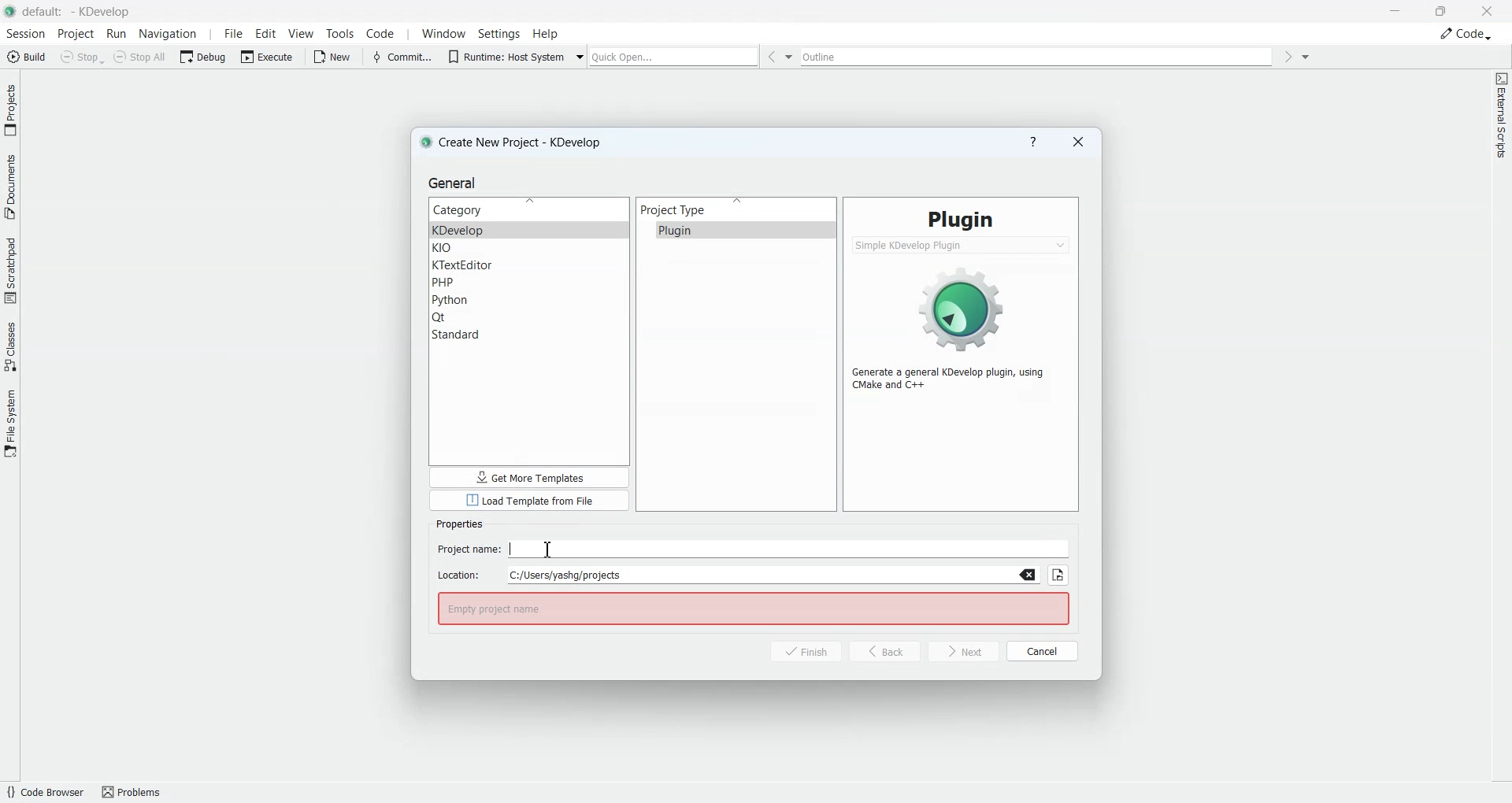 The height and width of the screenshot is (803, 1512). What do you see at coordinates (118, 35) in the screenshot?
I see `Run` at bounding box center [118, 35].